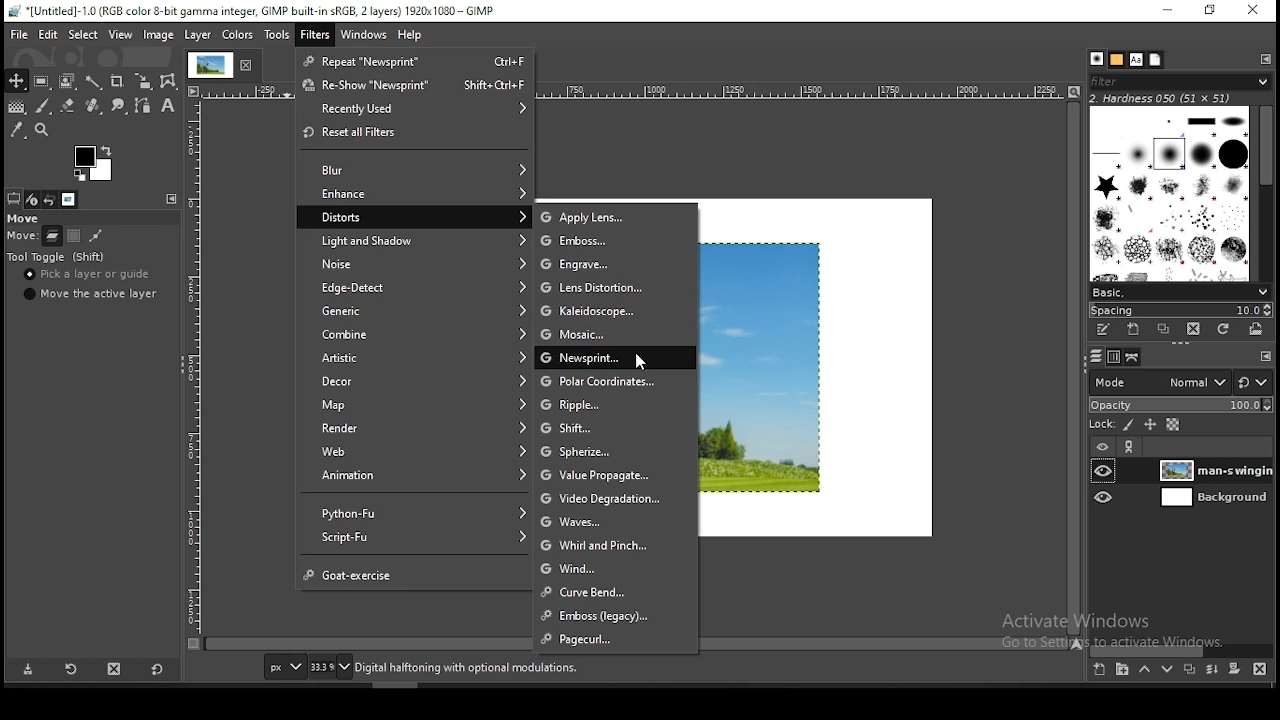  Describe the element at coordinates (1134, 330) in the screenshot. I see `create a new brush` at that location.